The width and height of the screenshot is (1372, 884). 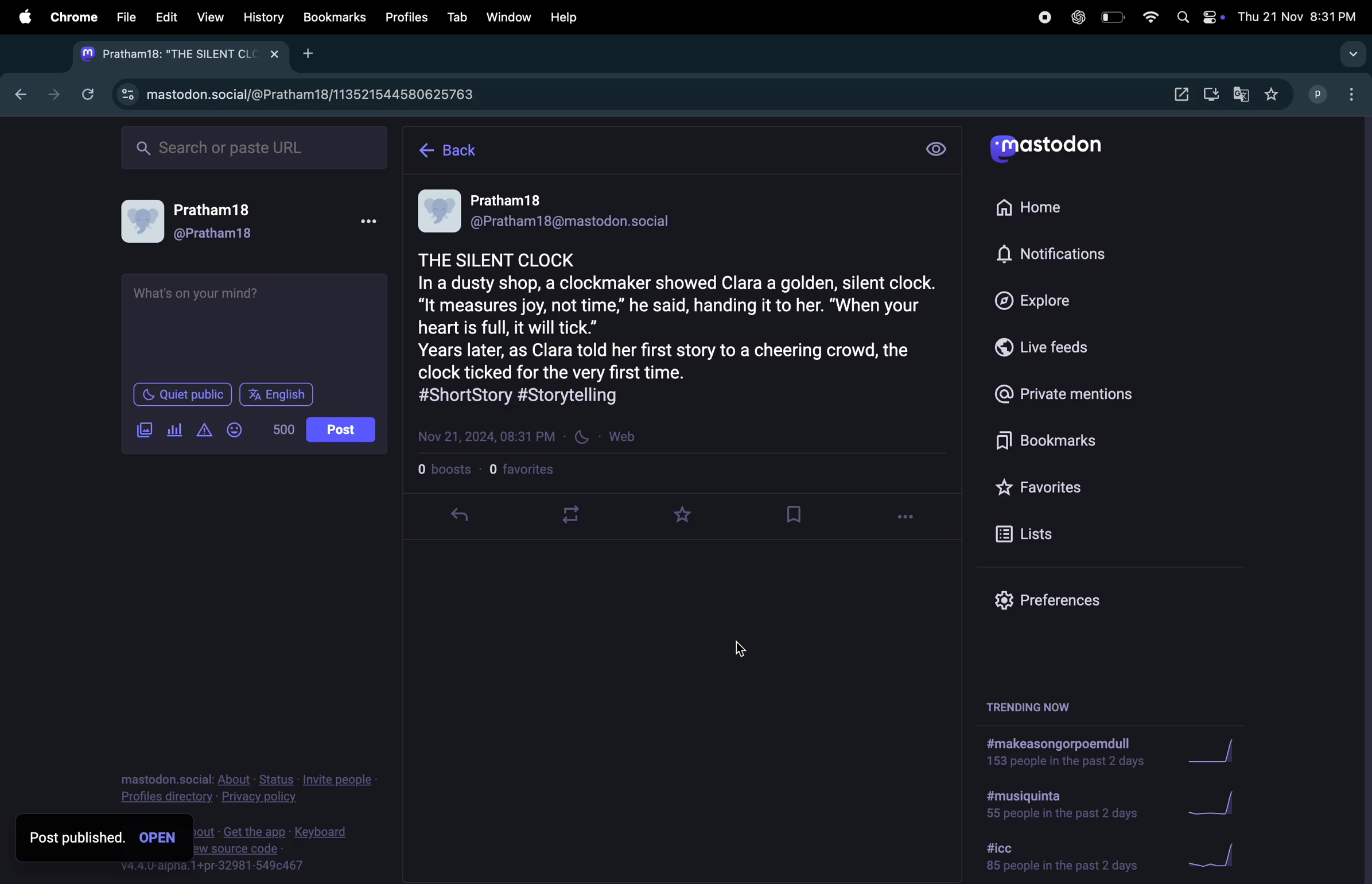 I want to click on chrome, so click(x=74, y=15).